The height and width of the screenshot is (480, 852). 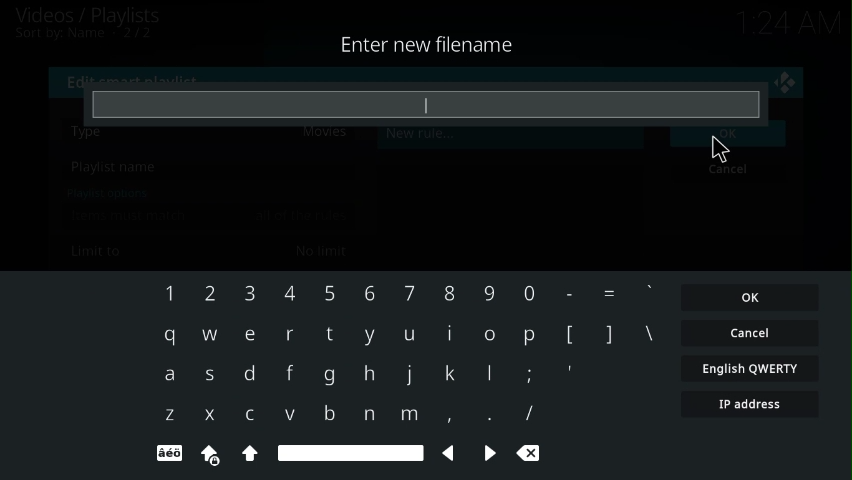 What do you see at coordinates (366, 414) in the screenshot?
I see `n` at bounding box center [366, 414].